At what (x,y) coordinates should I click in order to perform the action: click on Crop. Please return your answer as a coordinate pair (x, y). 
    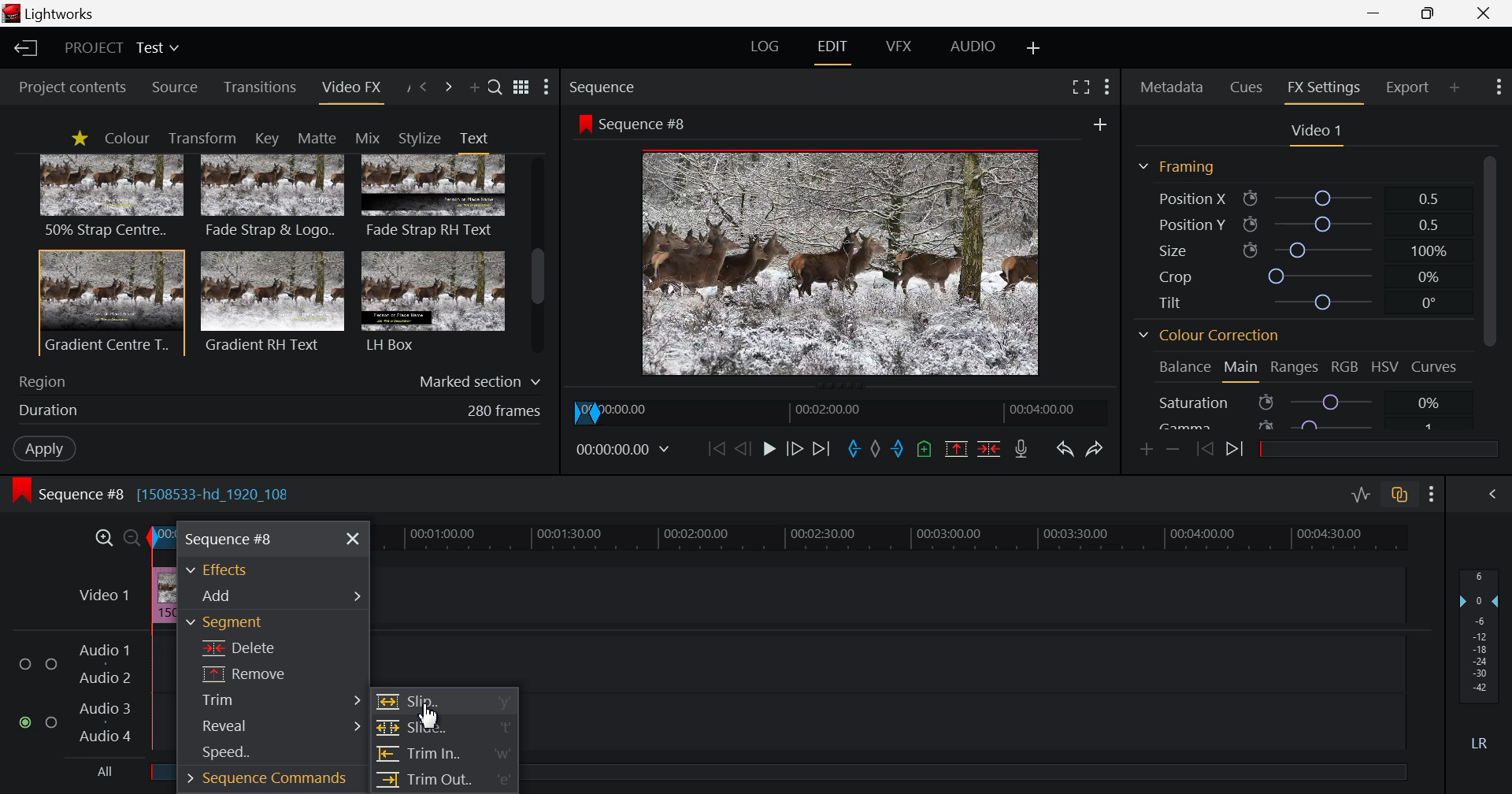
    Looking at the image, I should click on (1301, 276).